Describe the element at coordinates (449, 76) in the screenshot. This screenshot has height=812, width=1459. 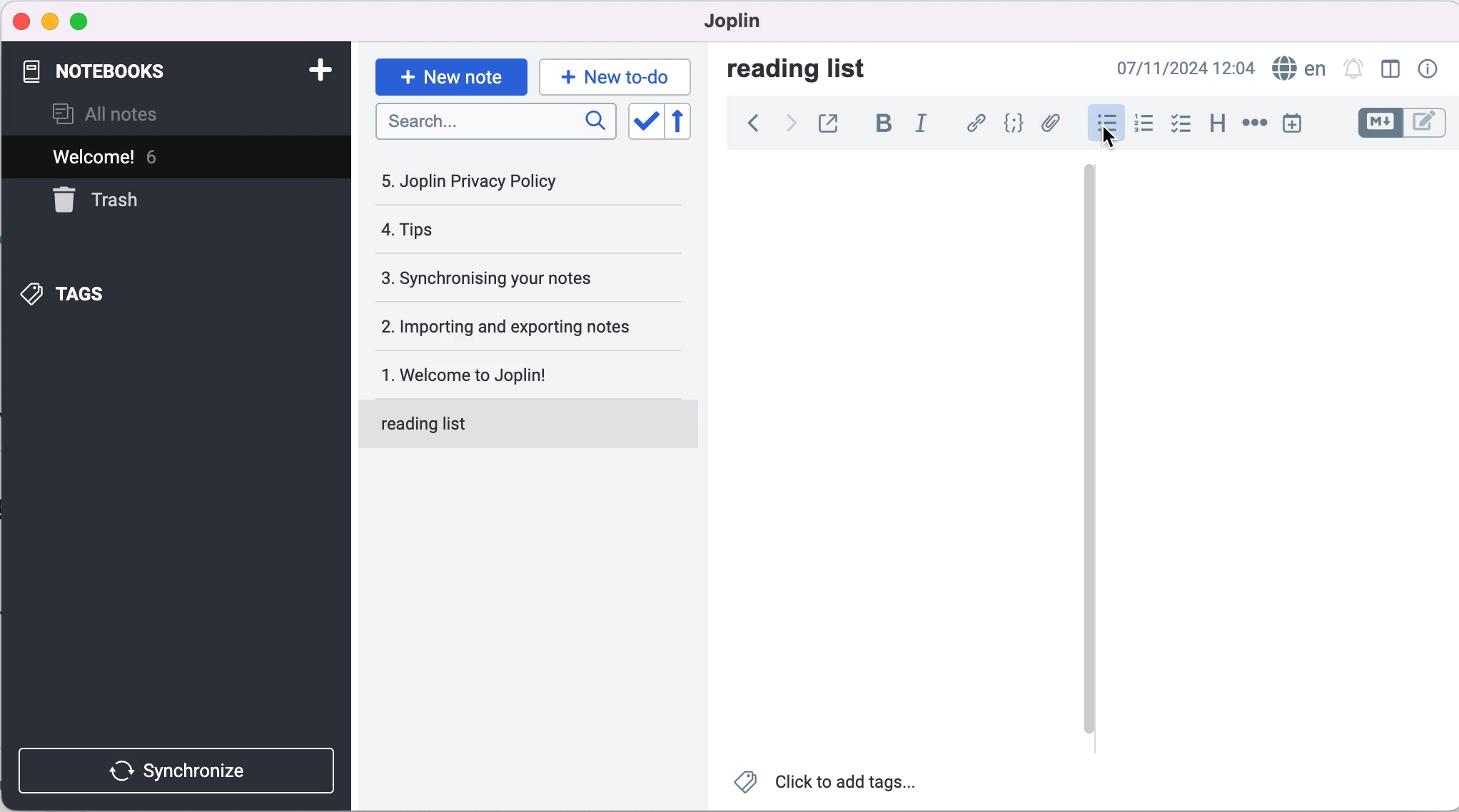
I see `new note` at that location.